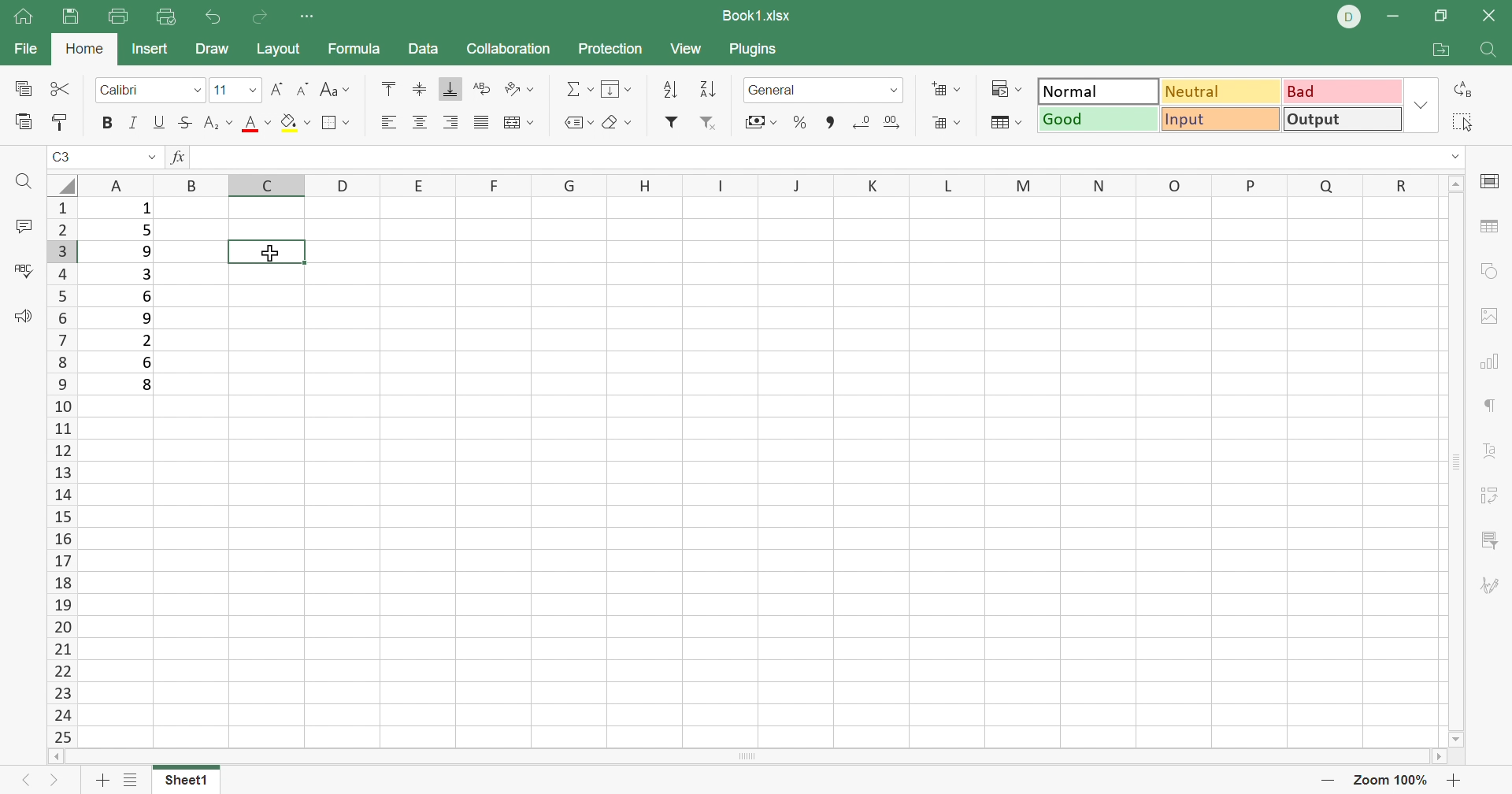 This screenshot has height=794, width=1512. Describe the element at coordinates (1494, 50) in the screenshot. I see `Find` at that location.